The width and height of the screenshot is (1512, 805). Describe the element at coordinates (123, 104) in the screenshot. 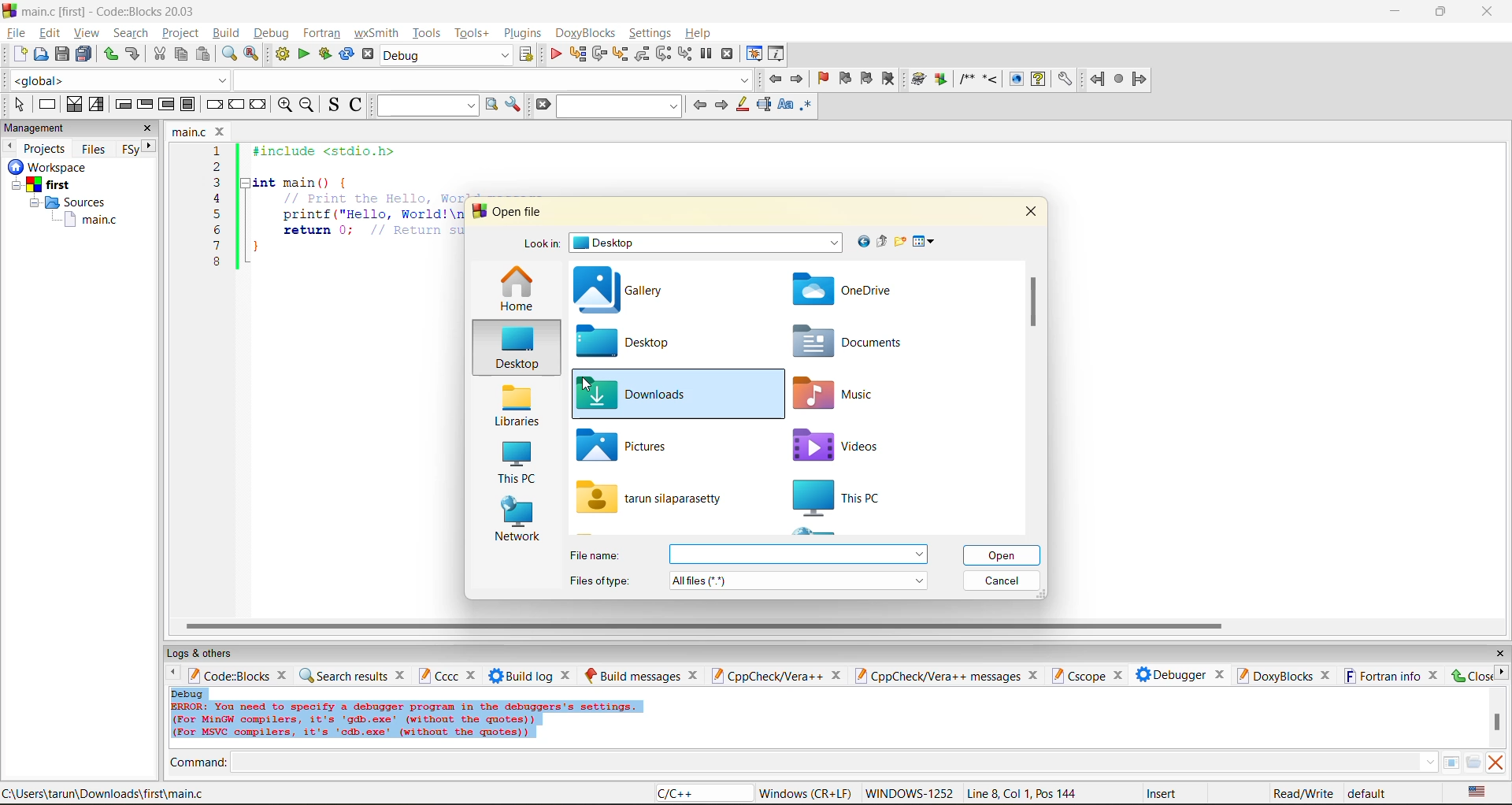

I see `entry condition loop` at that location.